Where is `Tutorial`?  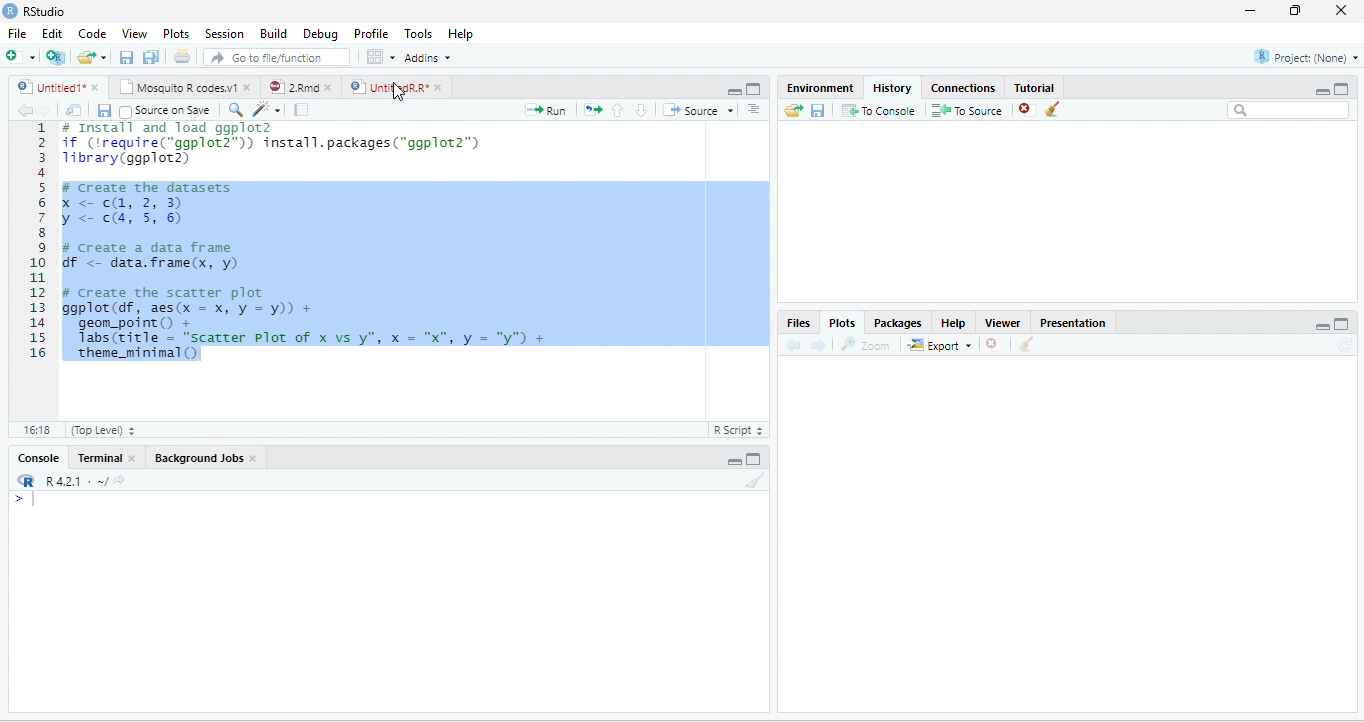
Tutorial is located at coordinates (1035, 86).